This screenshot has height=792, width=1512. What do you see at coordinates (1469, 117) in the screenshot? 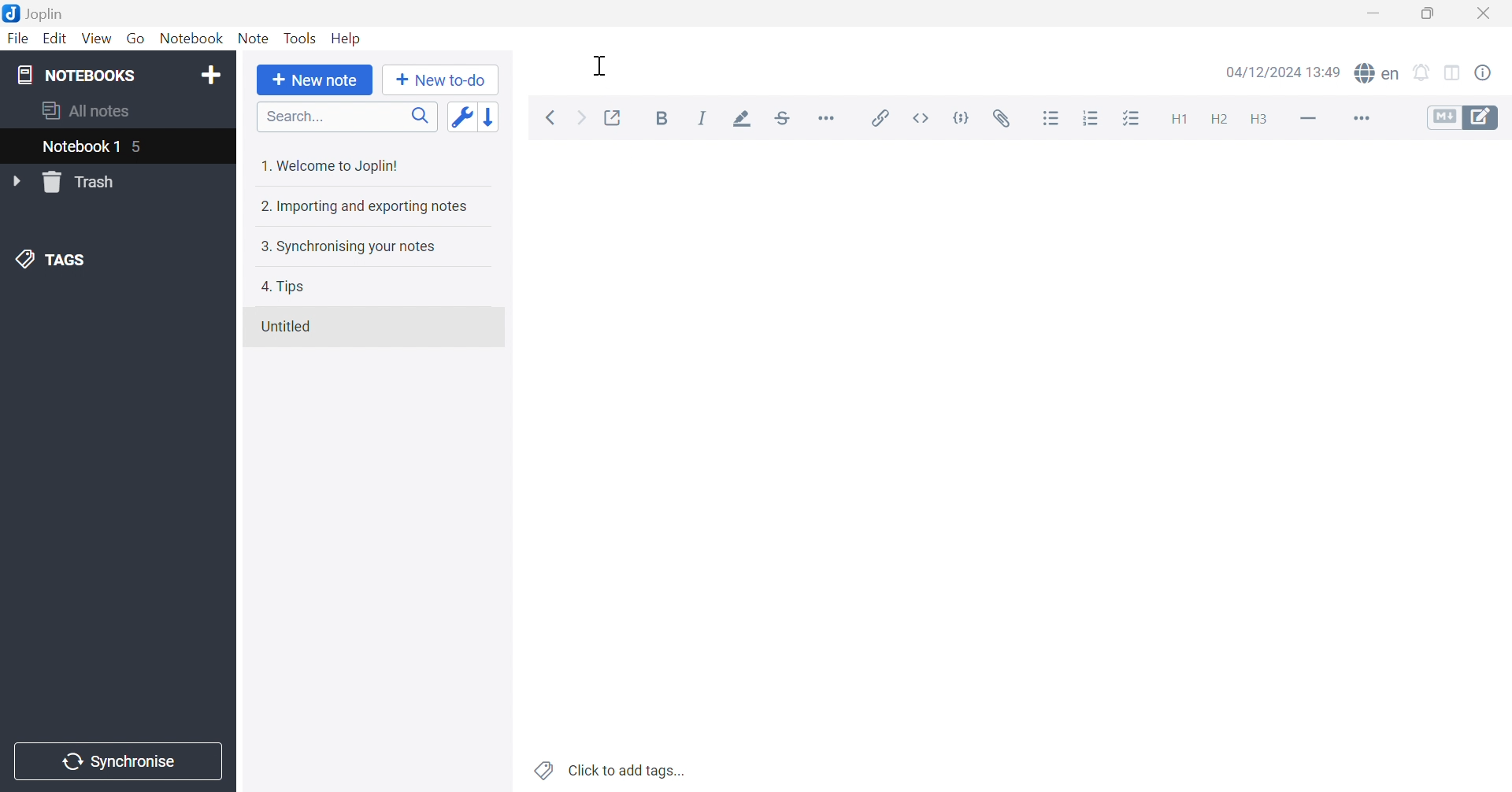
I see `Toggle editors` at bounding box center [1469, 117].